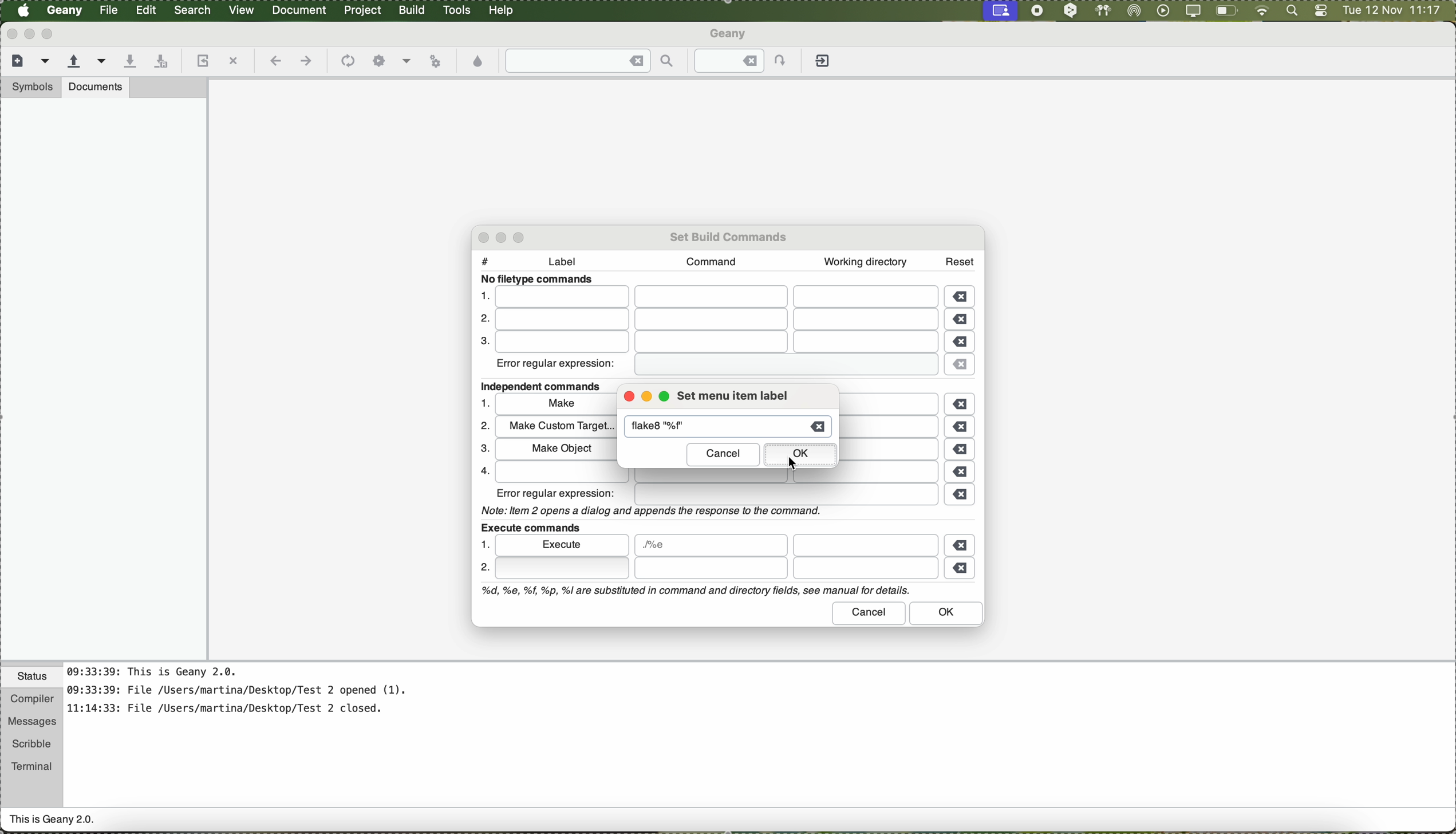 Image resolution: width=1456 pixels, height=834 pixels. I want to click on command, so click(707, 261).